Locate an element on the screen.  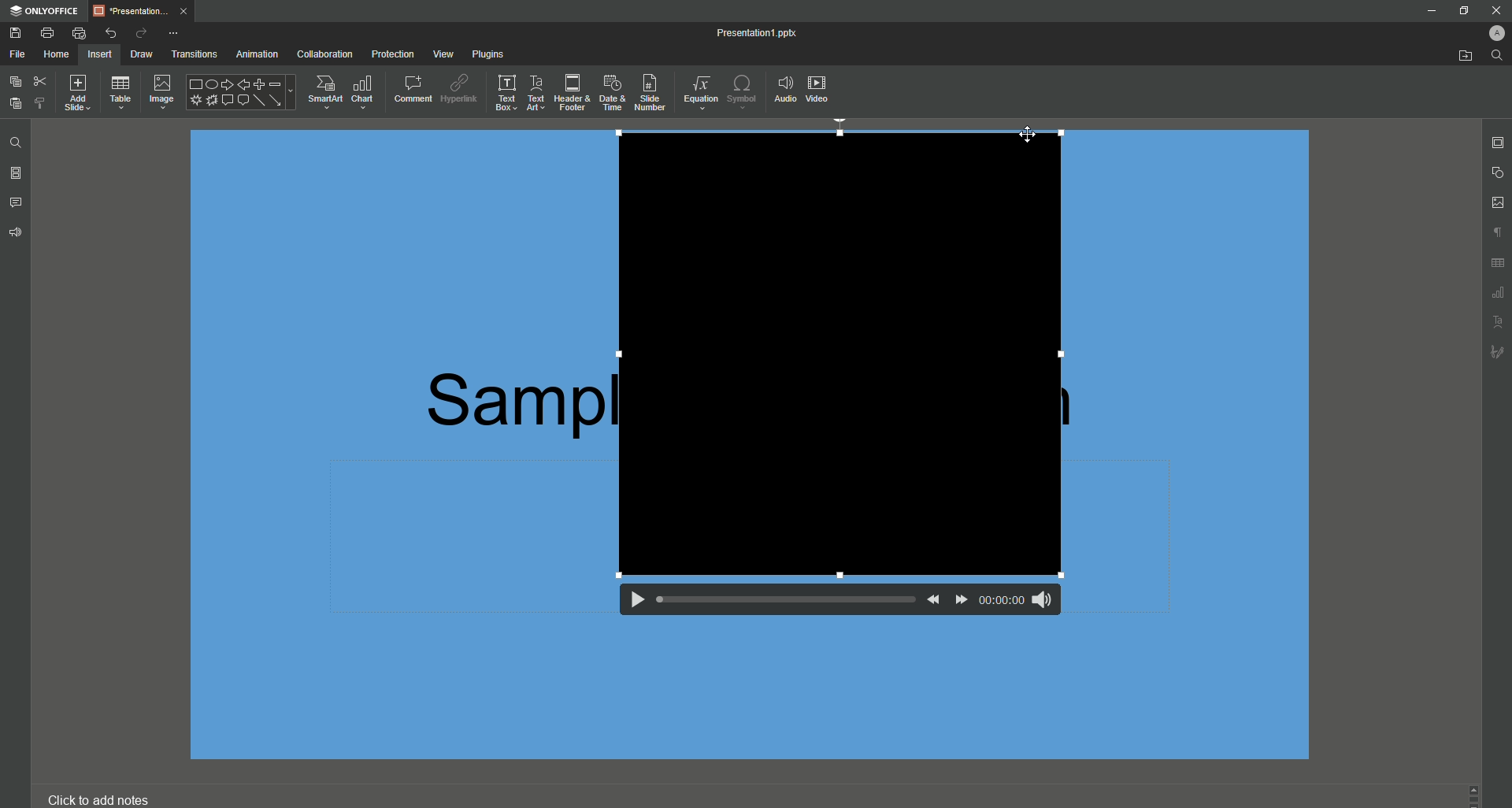
ONLYOFFICE is located at coordinates (46, 9).